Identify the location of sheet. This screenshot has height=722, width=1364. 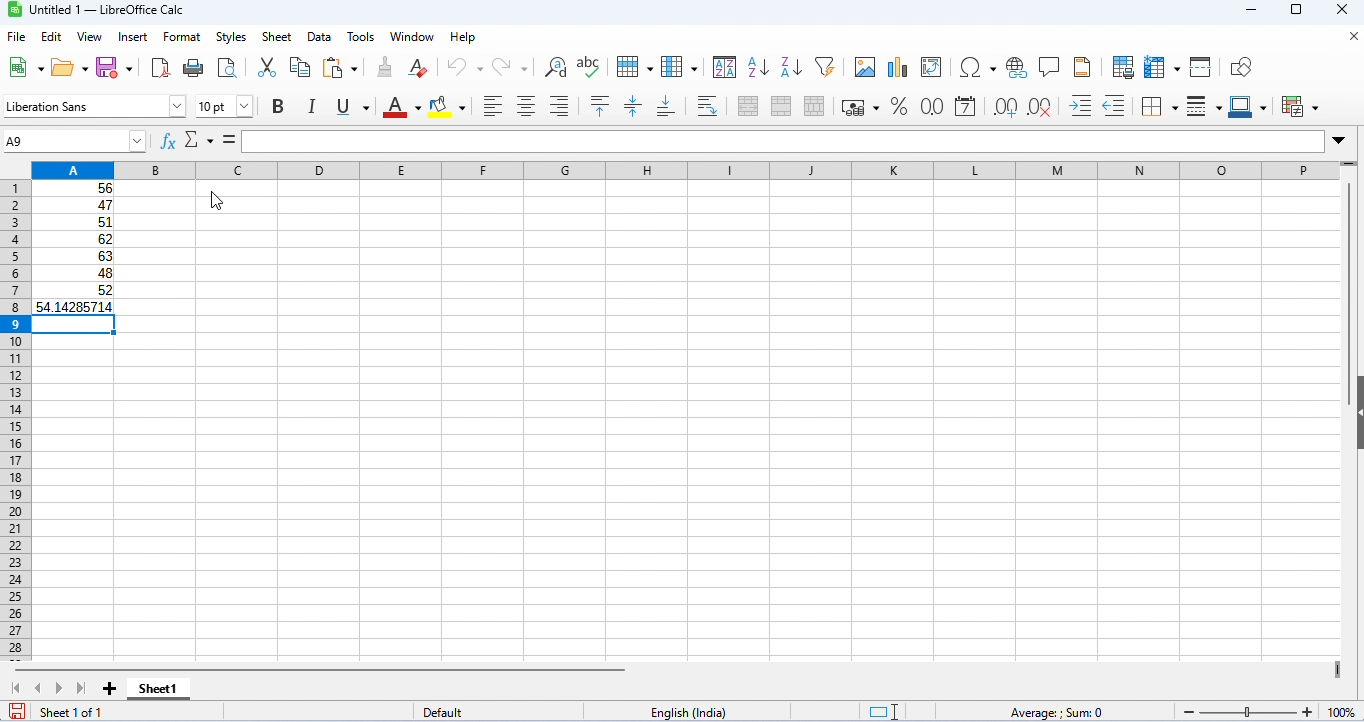
(277, 37).